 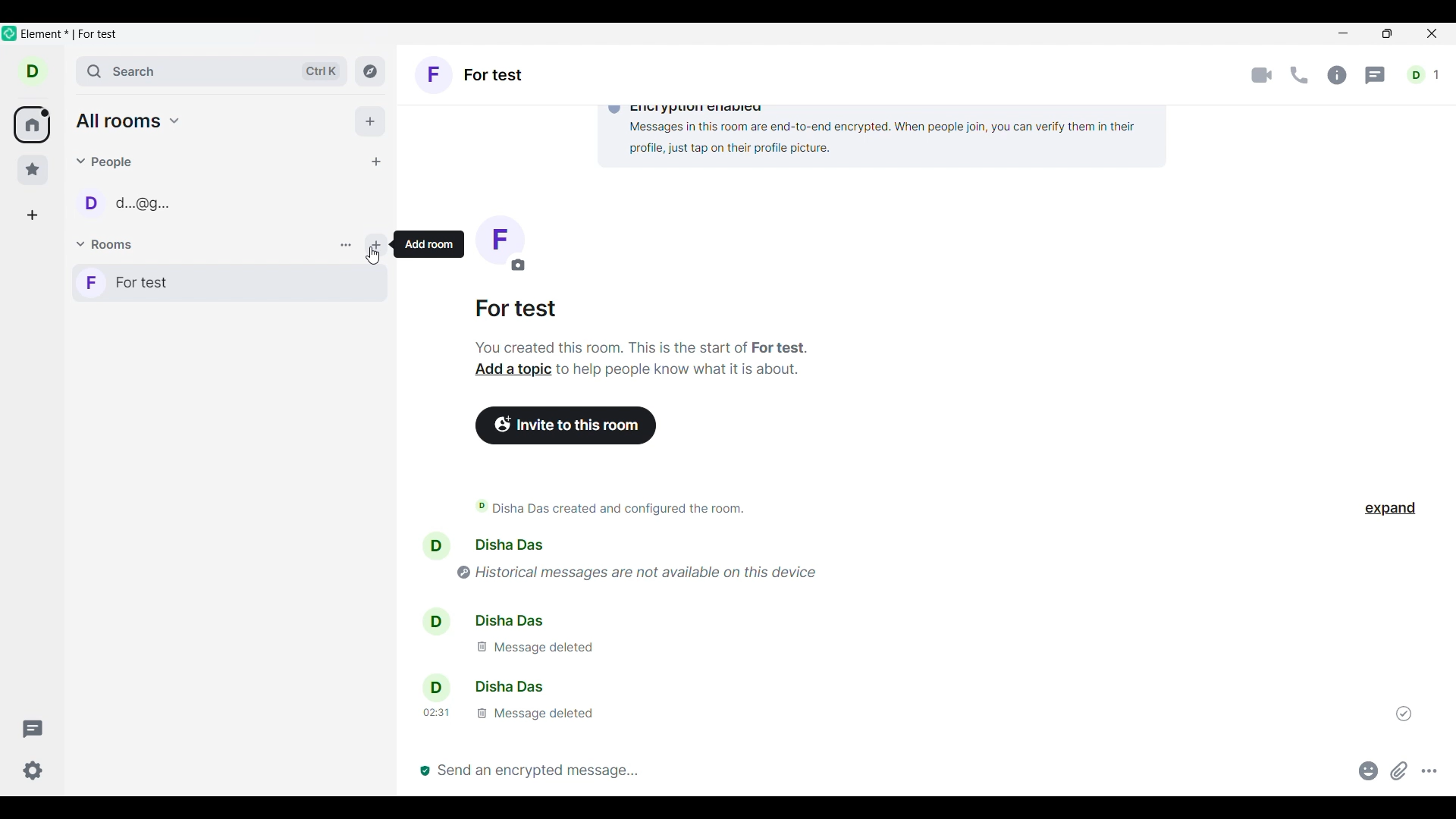 I want to click on Threads, so click(x=33, y=729).